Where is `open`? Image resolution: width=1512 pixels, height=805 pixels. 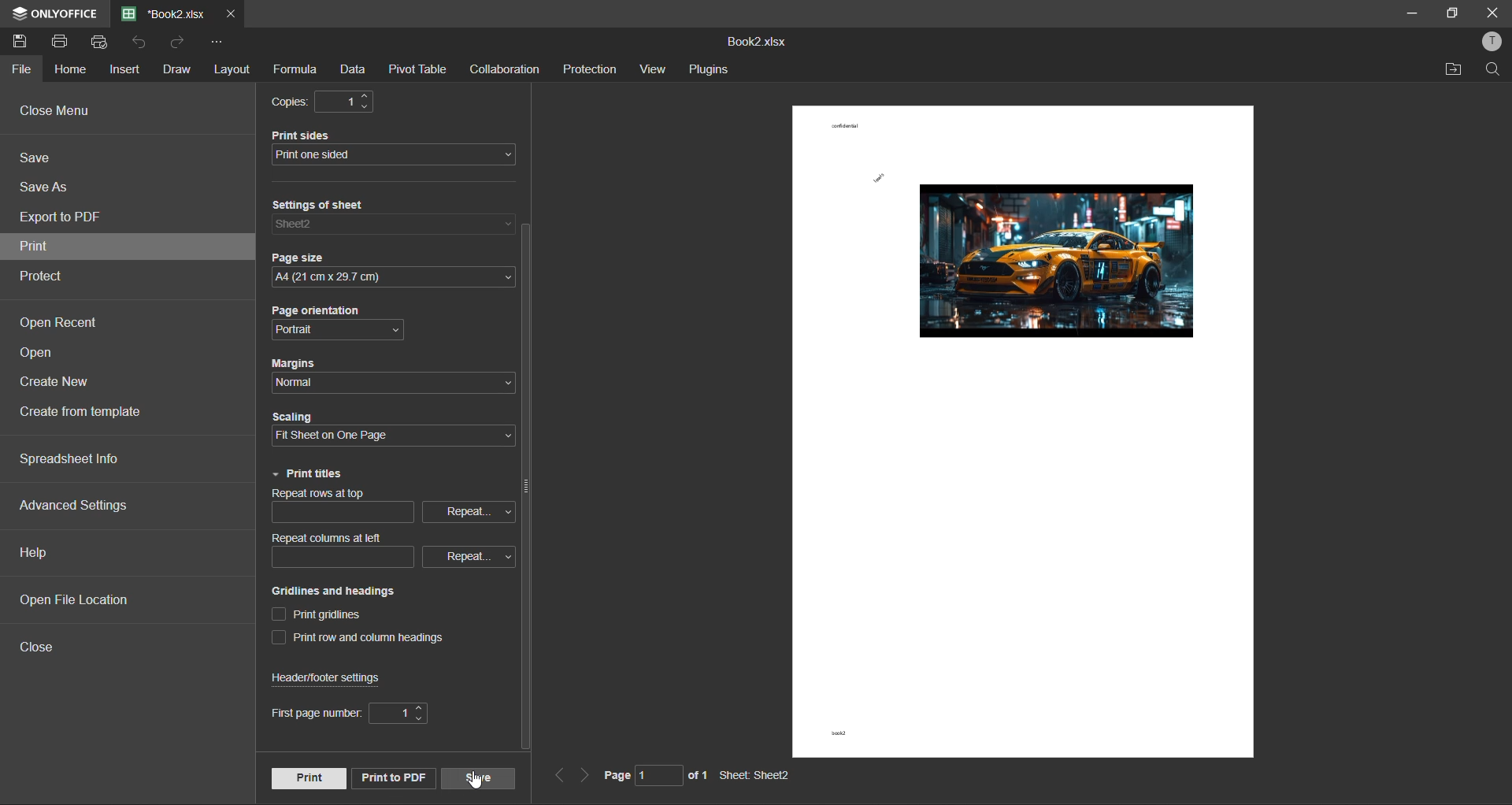 open is located at coordinates (43, 354).